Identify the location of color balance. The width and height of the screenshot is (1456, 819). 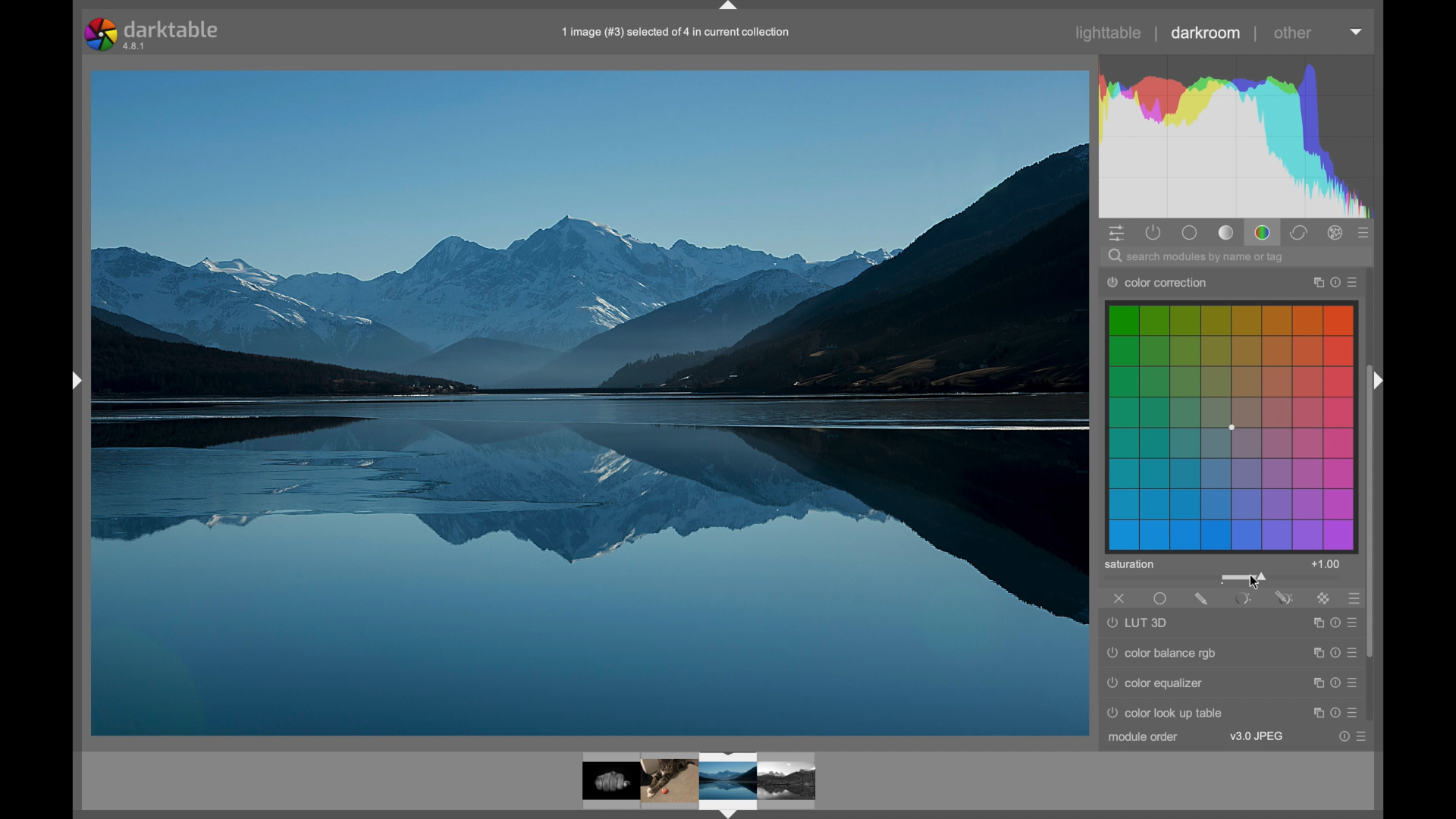
(1158, 651).